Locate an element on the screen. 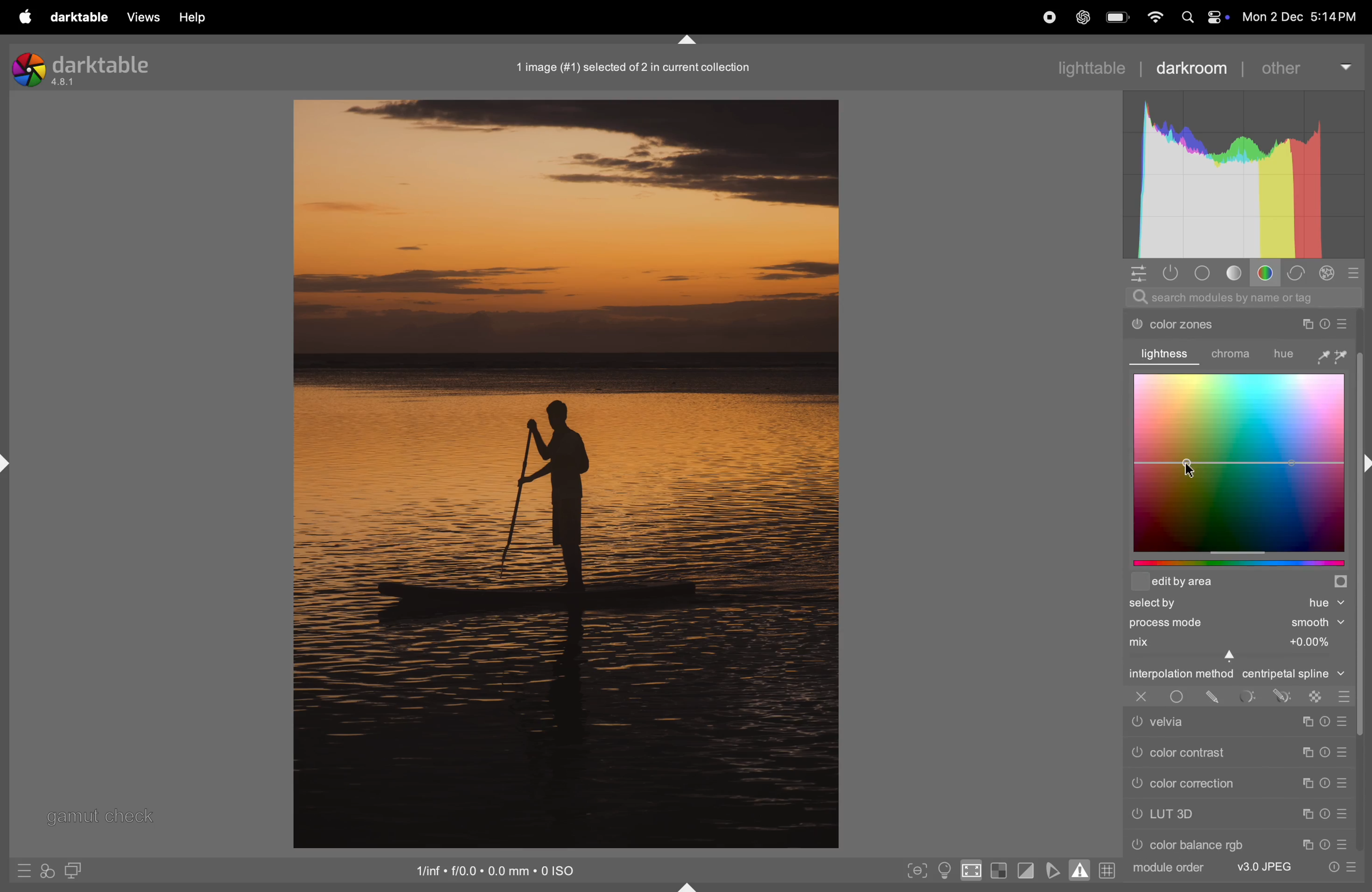 The image size is (1372, 892). v3 jpeg is located at coordinates (1257, 865).